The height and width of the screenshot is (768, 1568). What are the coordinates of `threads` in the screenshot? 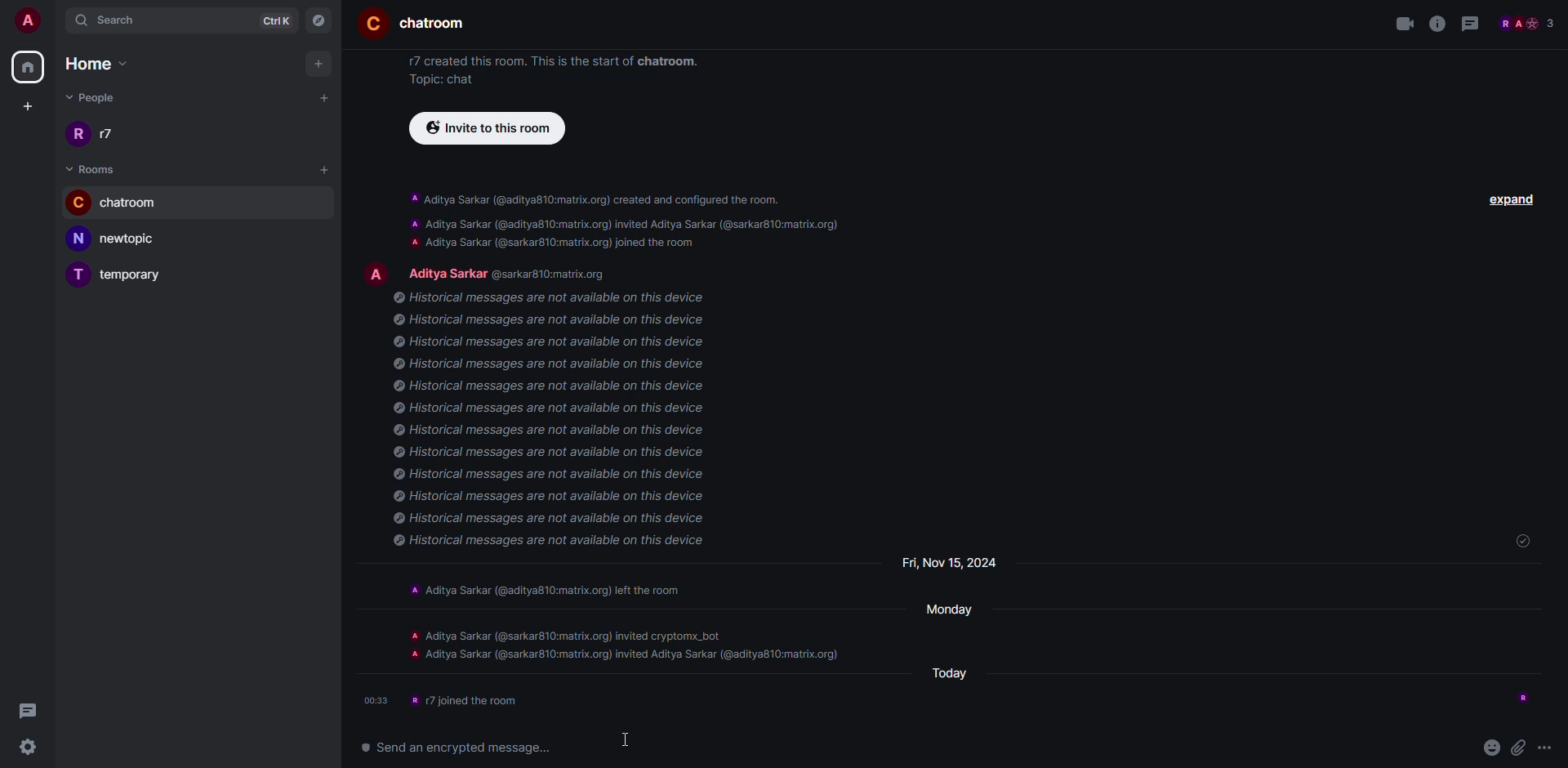 It's located at (27, 710).